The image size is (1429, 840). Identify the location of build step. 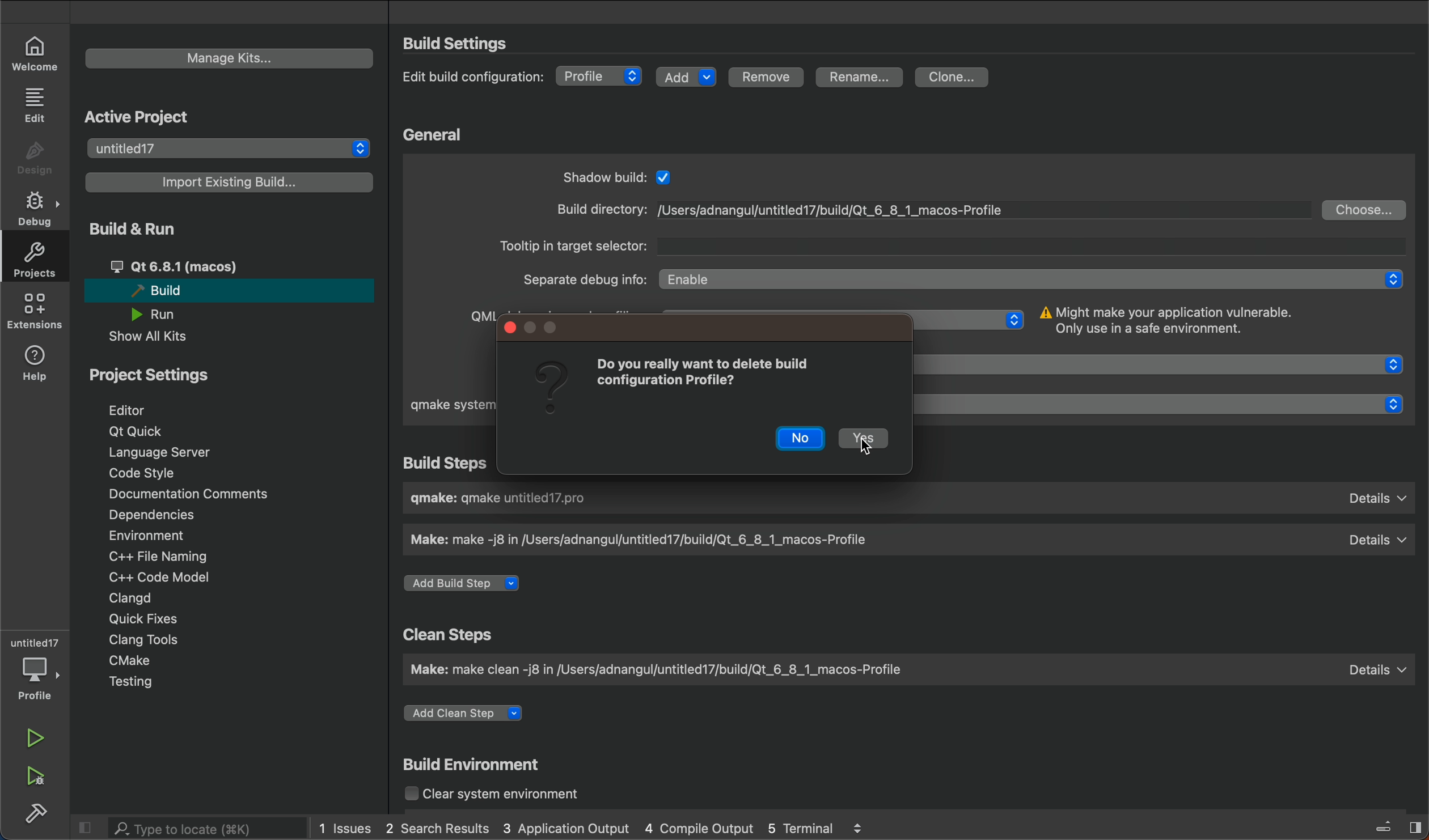
(459, 464).